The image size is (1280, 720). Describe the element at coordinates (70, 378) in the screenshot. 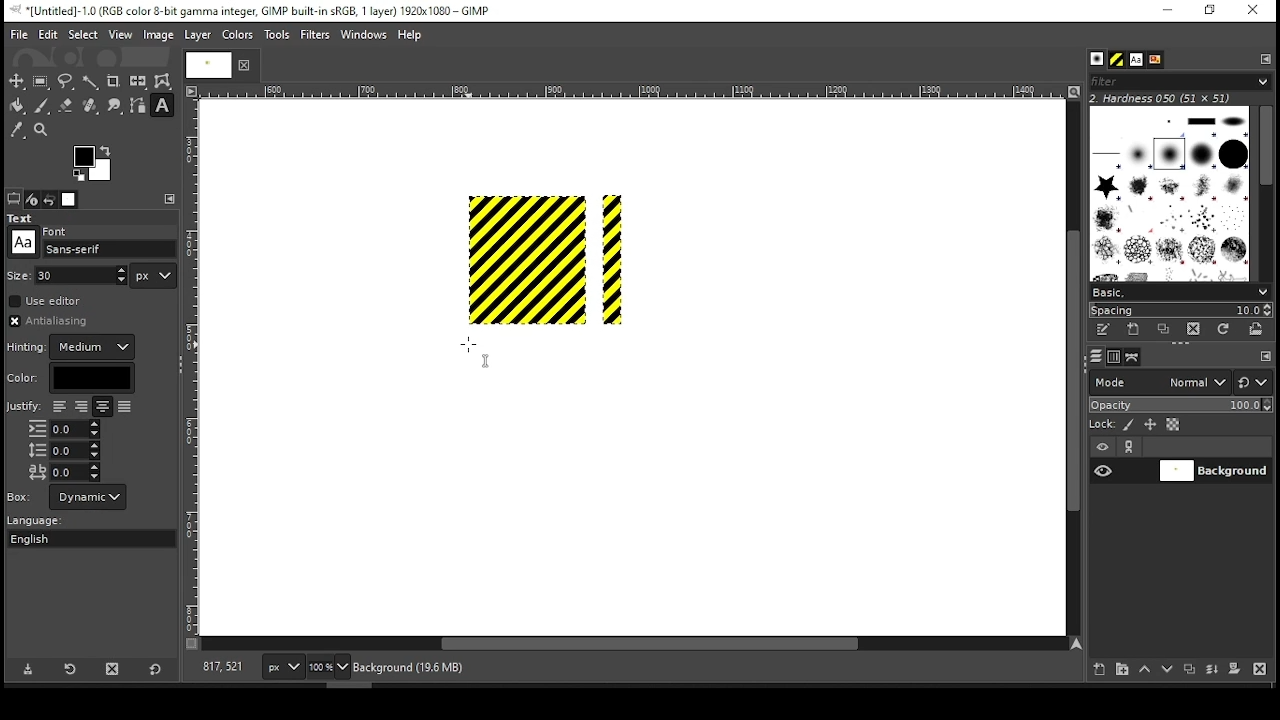

I see `color` at that location.